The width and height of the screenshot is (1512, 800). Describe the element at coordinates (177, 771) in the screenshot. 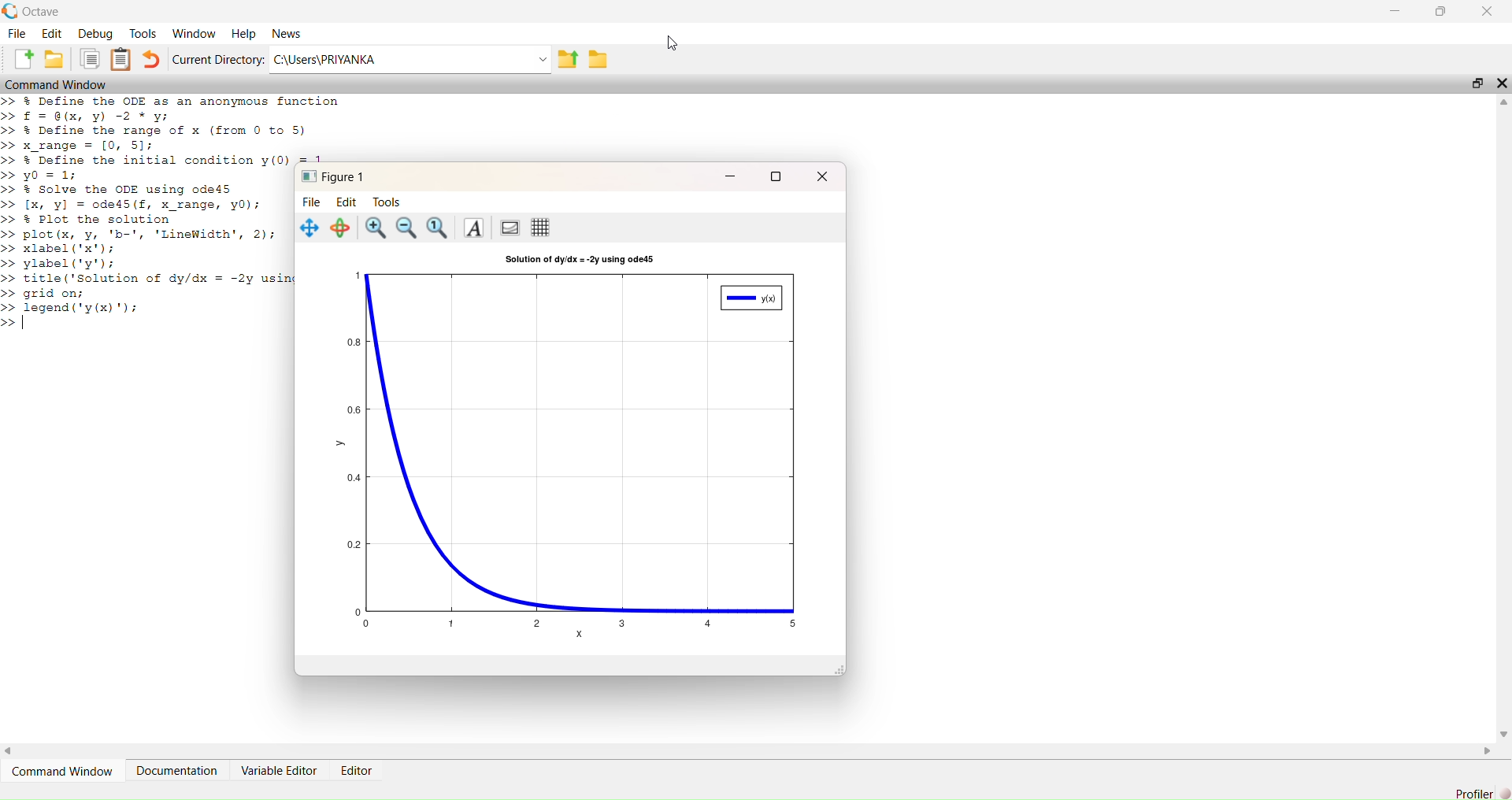

I see `Documentation` at that location.